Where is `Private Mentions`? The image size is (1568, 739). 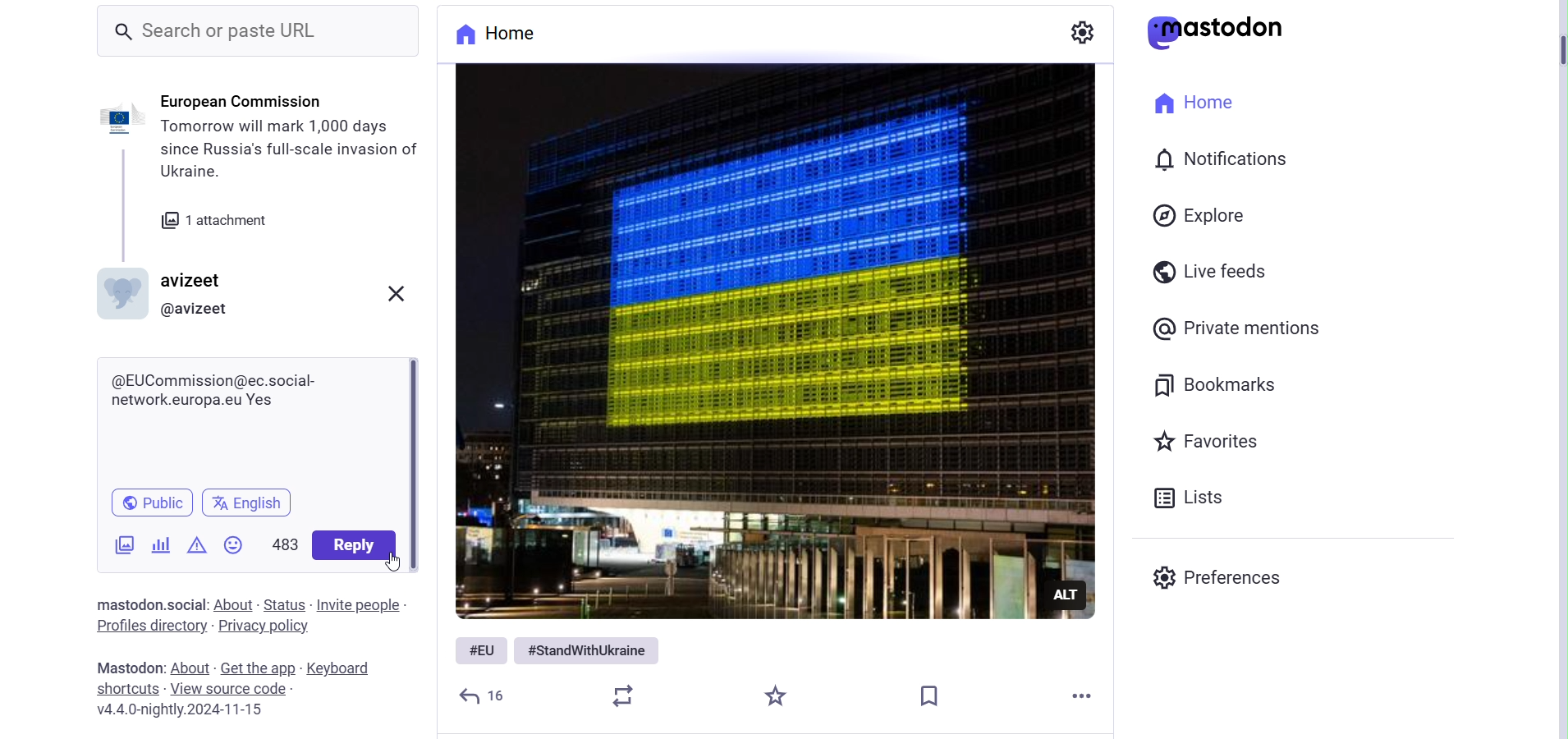
Private Mentions is located at coordinates (1243, 328).